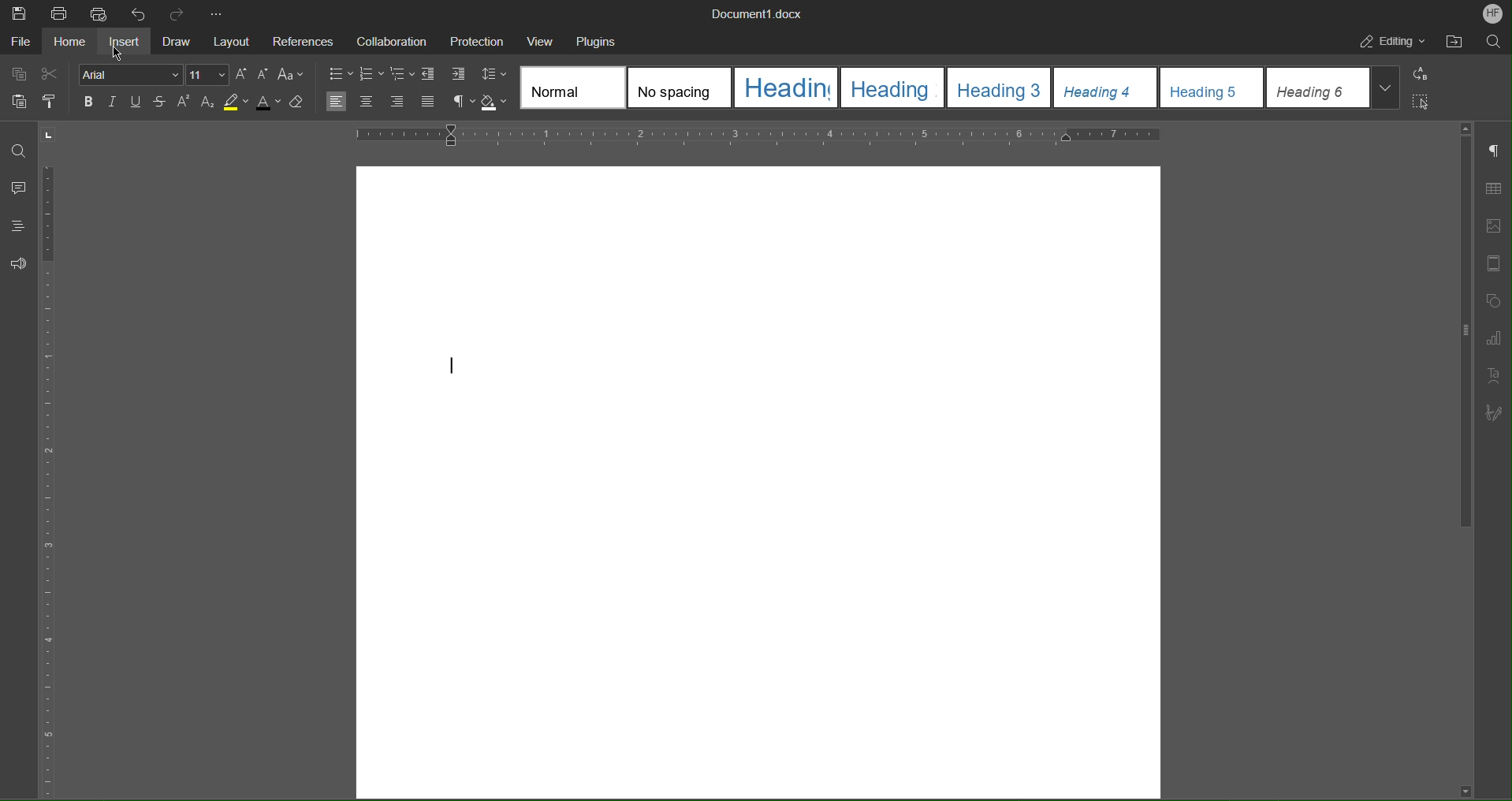 The height and width of the screenshot is (801, 1512). I want to click on Print , so click(60, 12).